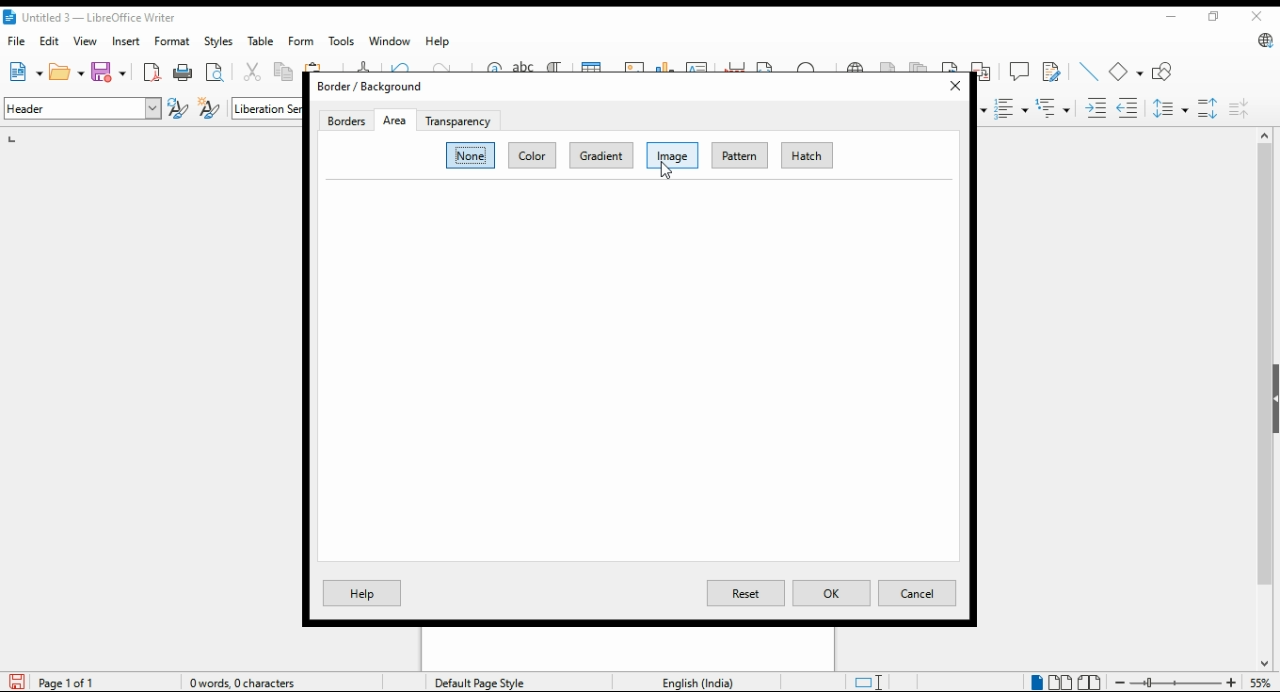 This screenshot has height=692, width=1280. What do you see at coordinates (300, 40) in the screenshot?
I see `form` at bounding box center [300, 40].